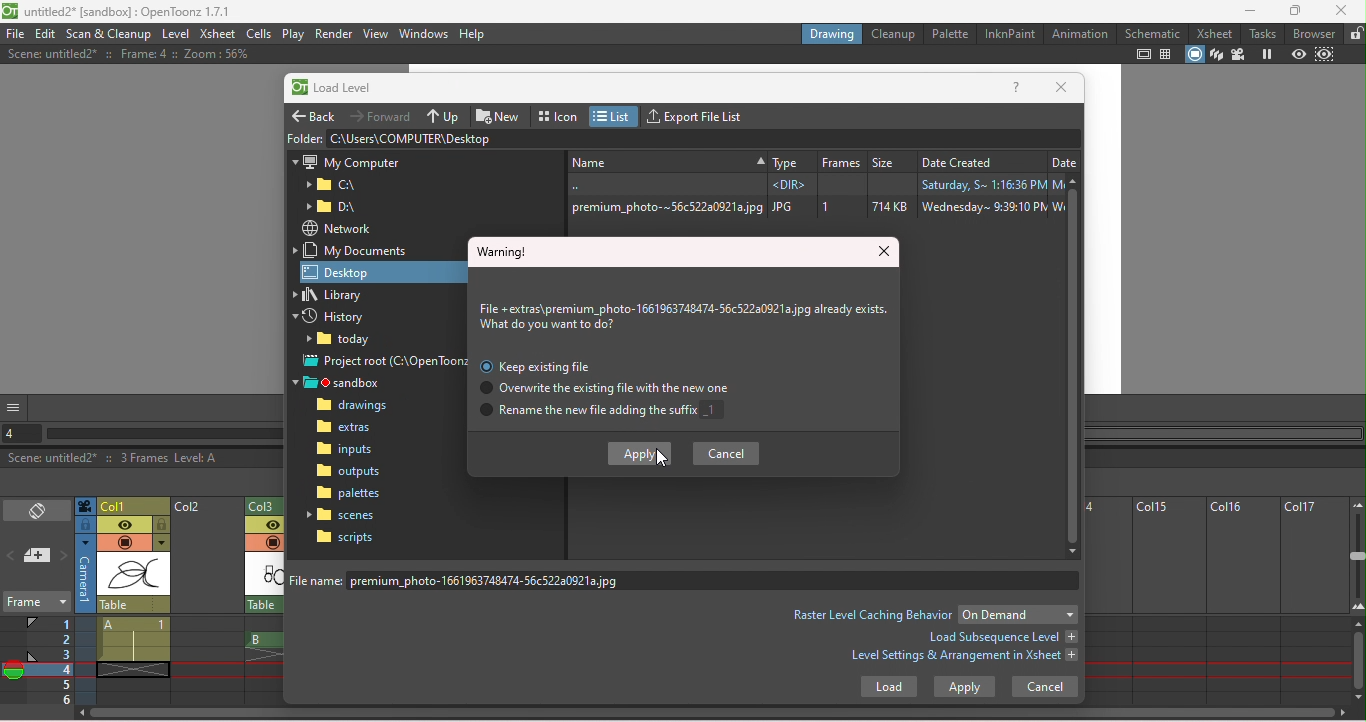 The image size is (1366, 722). I want to click on Sandbox, so click(344, 383).